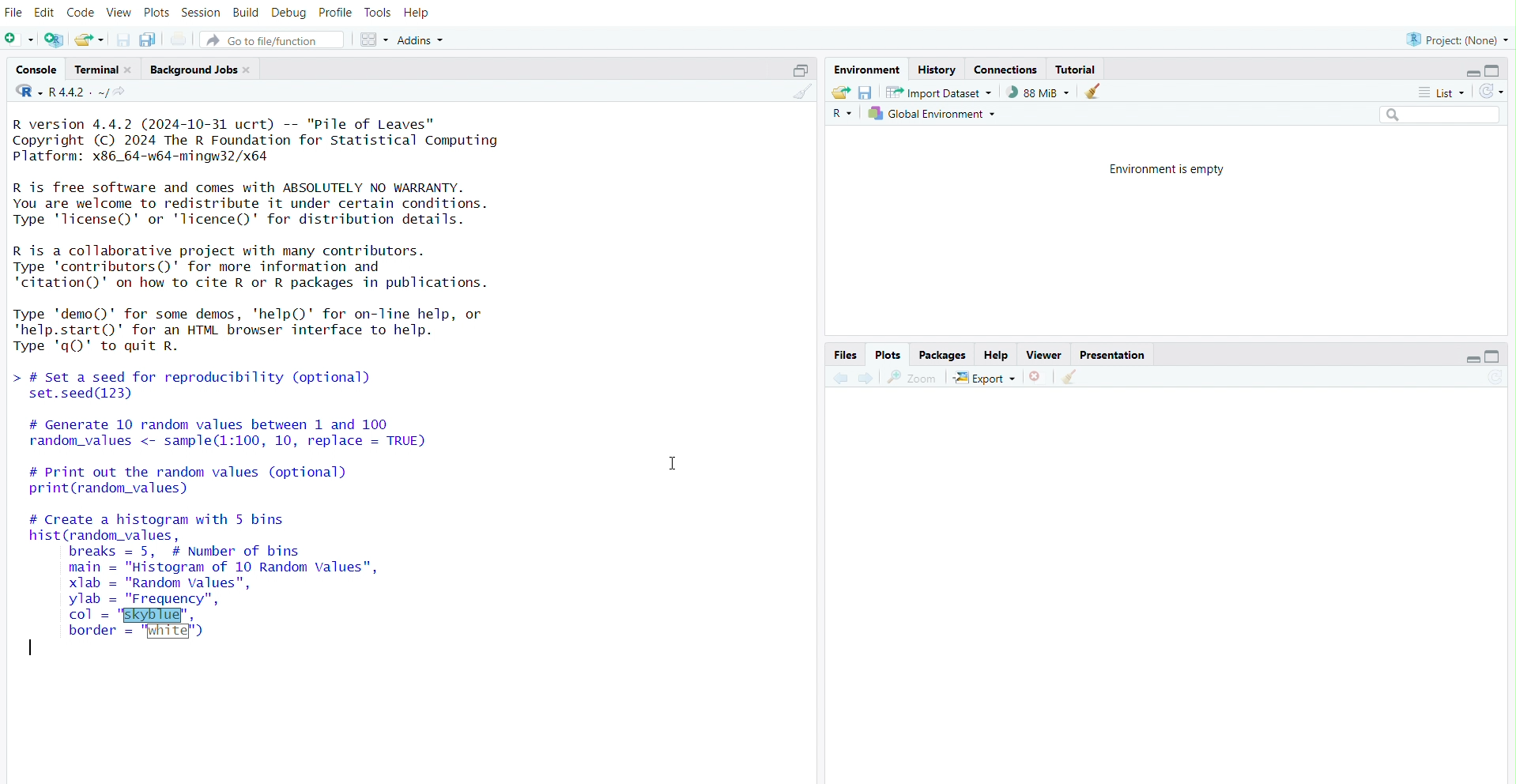 Image resolution: width=1516 pixels, height=784 pixels. I want to click on remove the current plot, so click(1038, 379).